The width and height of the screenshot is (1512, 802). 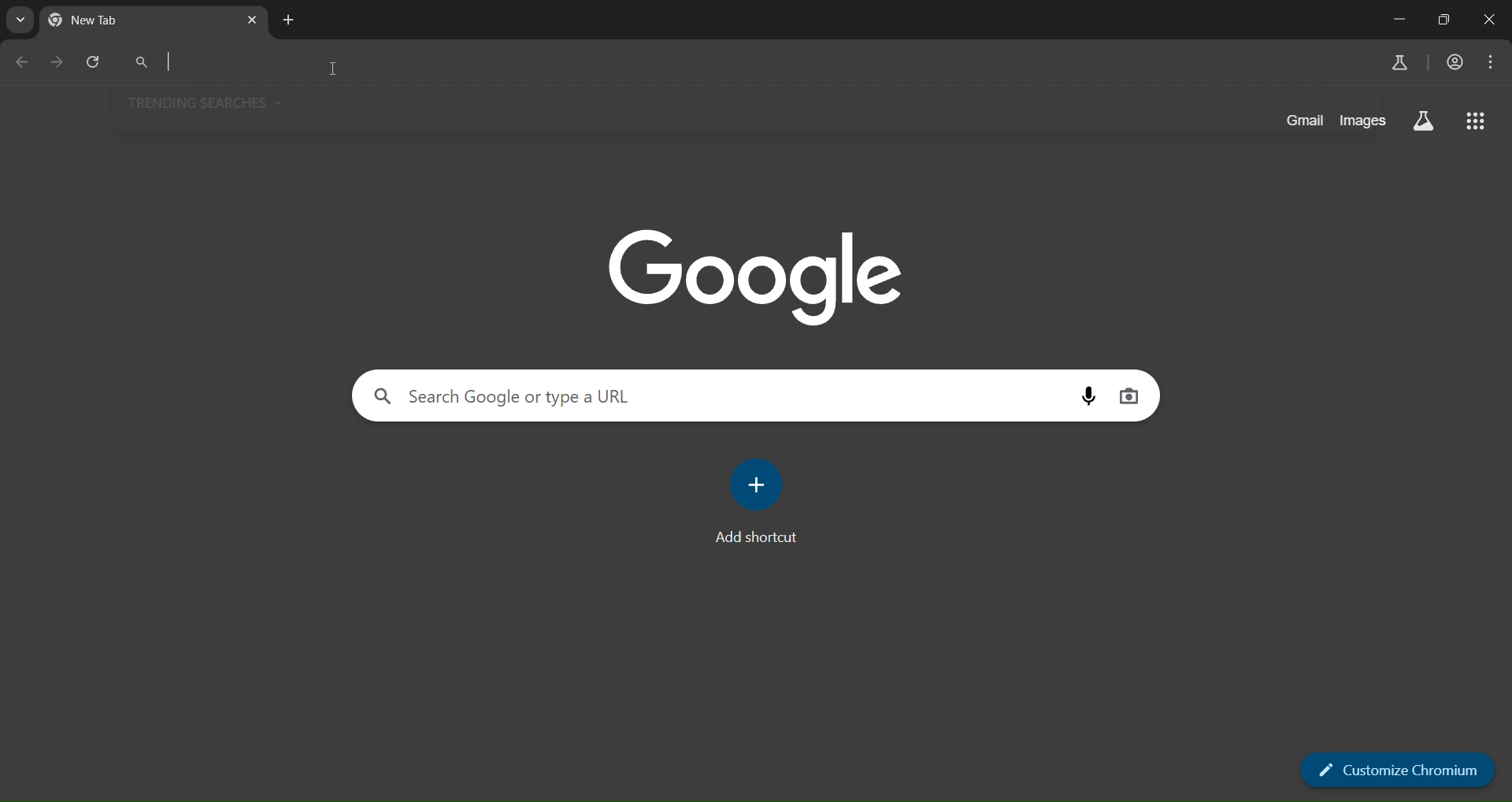 I want to click on menu, so click(x=1492, y=63).